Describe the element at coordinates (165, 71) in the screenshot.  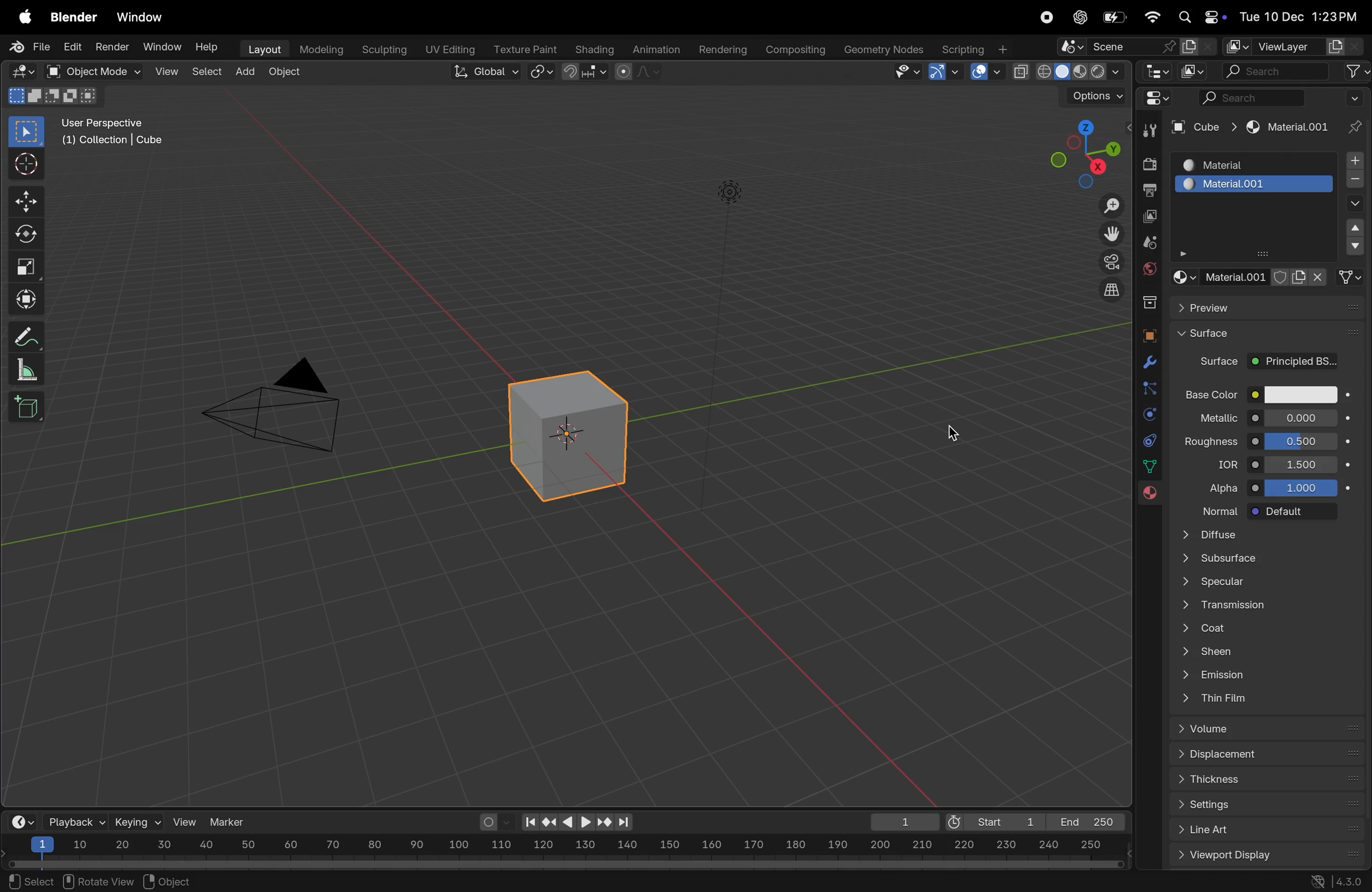
I see `View` at that location.